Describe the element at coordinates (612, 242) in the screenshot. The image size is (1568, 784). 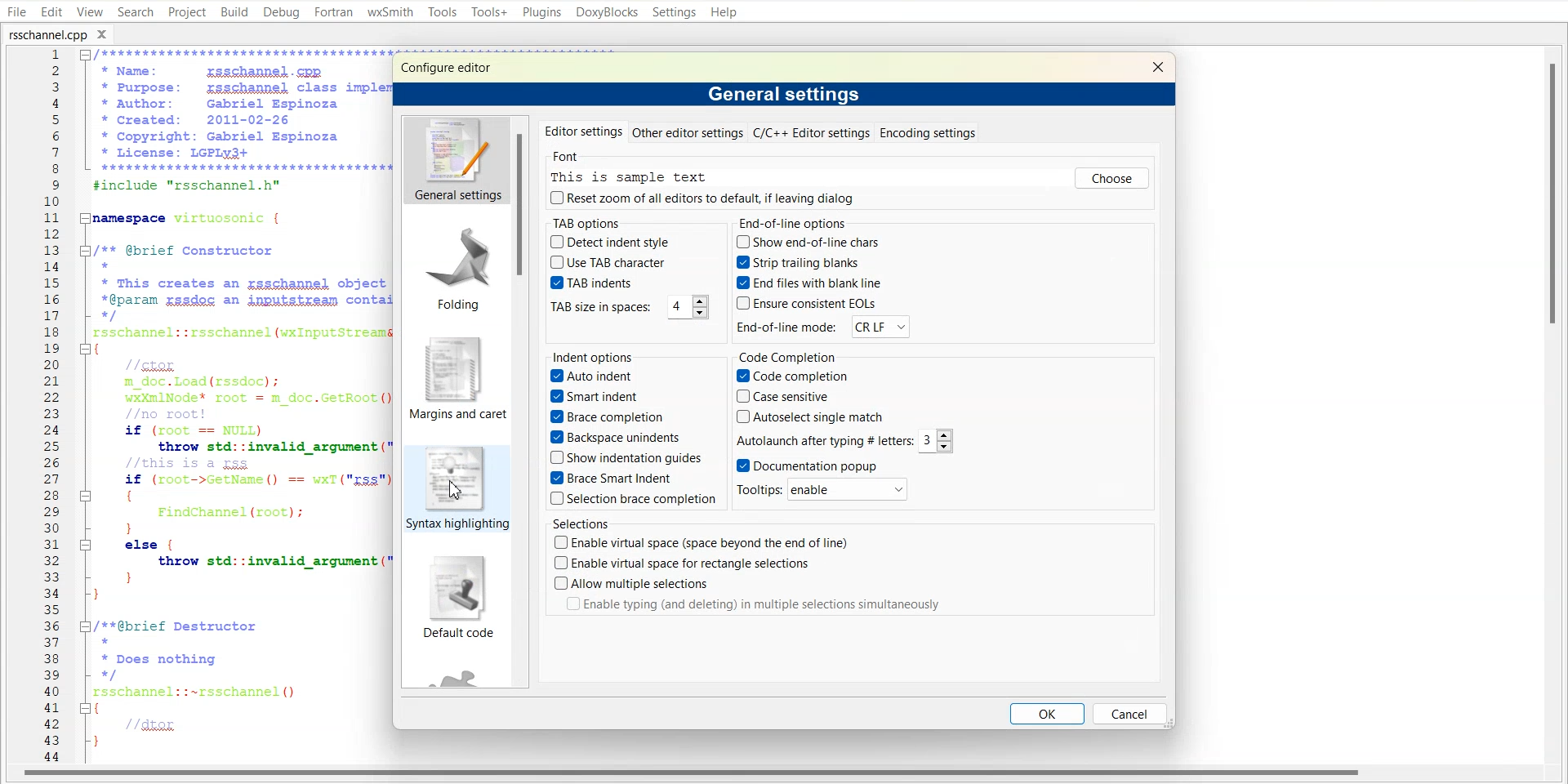
I see `Detect indent style` at that location.